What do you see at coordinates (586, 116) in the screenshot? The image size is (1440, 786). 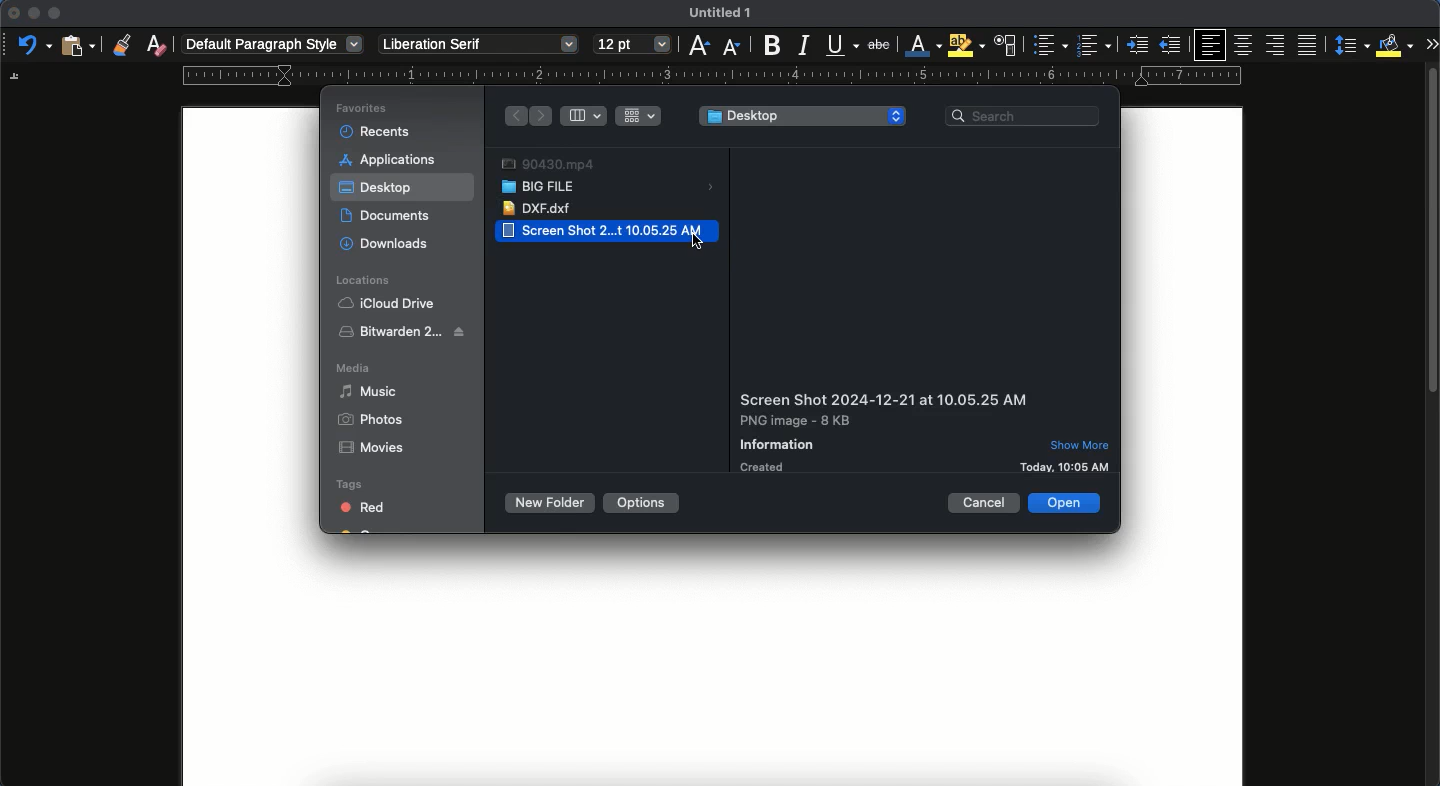 I see `column` at bounding box center [586, 116].